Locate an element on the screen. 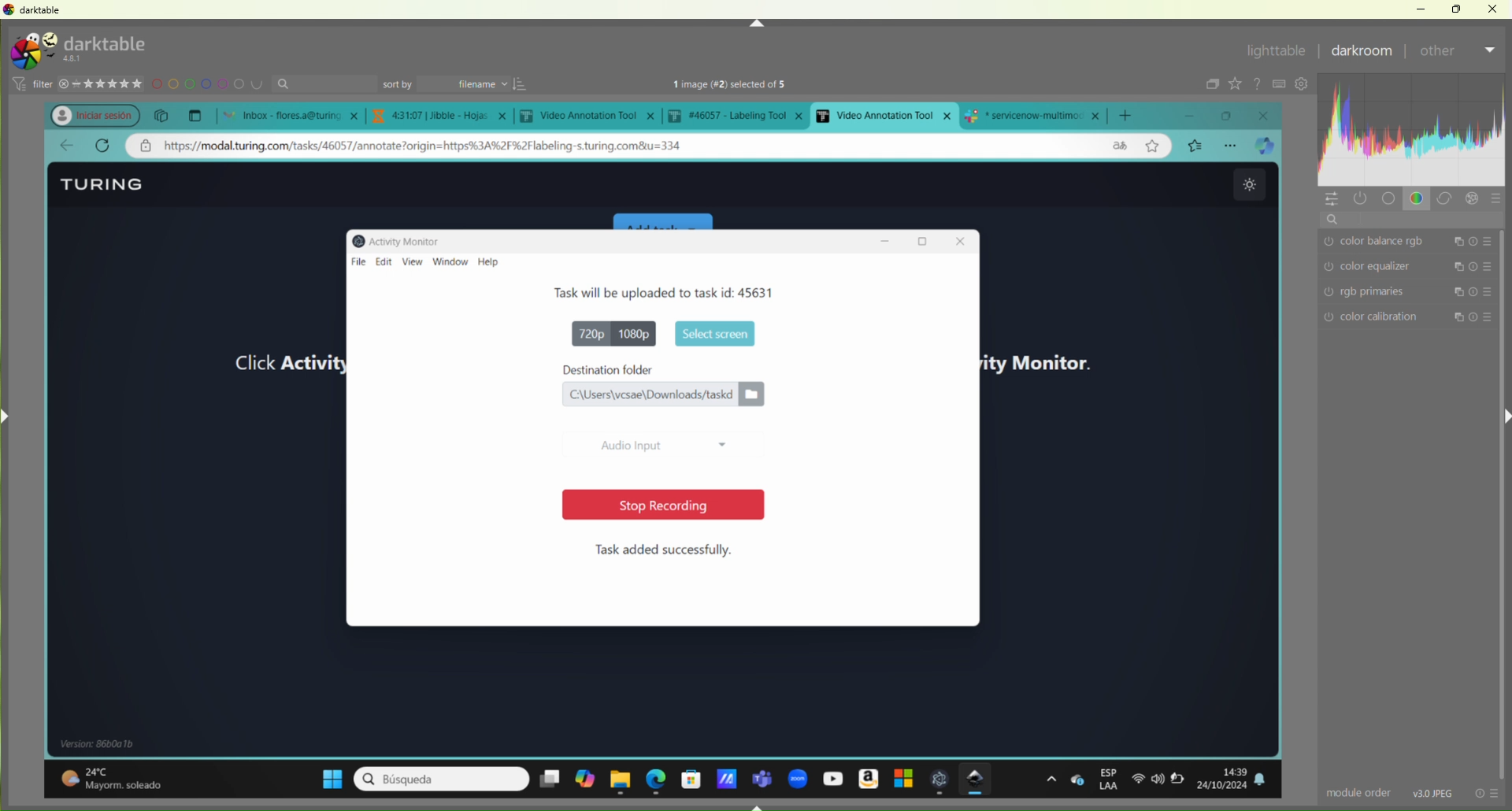 The height and width of the screenshot is (811, 1512). amazon is located at coordinates (866, 777).